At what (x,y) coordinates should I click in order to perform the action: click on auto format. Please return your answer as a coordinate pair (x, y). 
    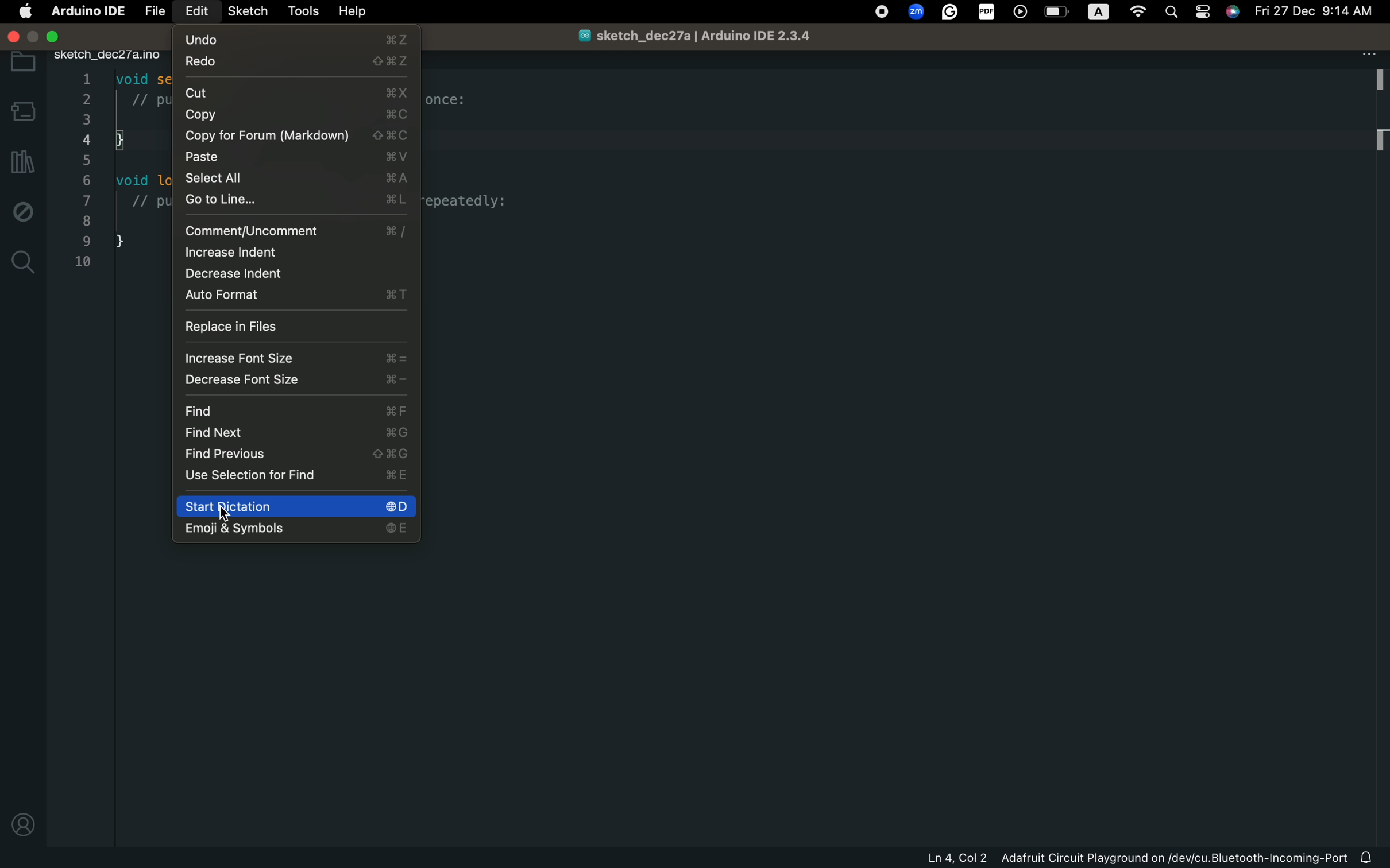
    Looking at the image, I should click on (295, 295).